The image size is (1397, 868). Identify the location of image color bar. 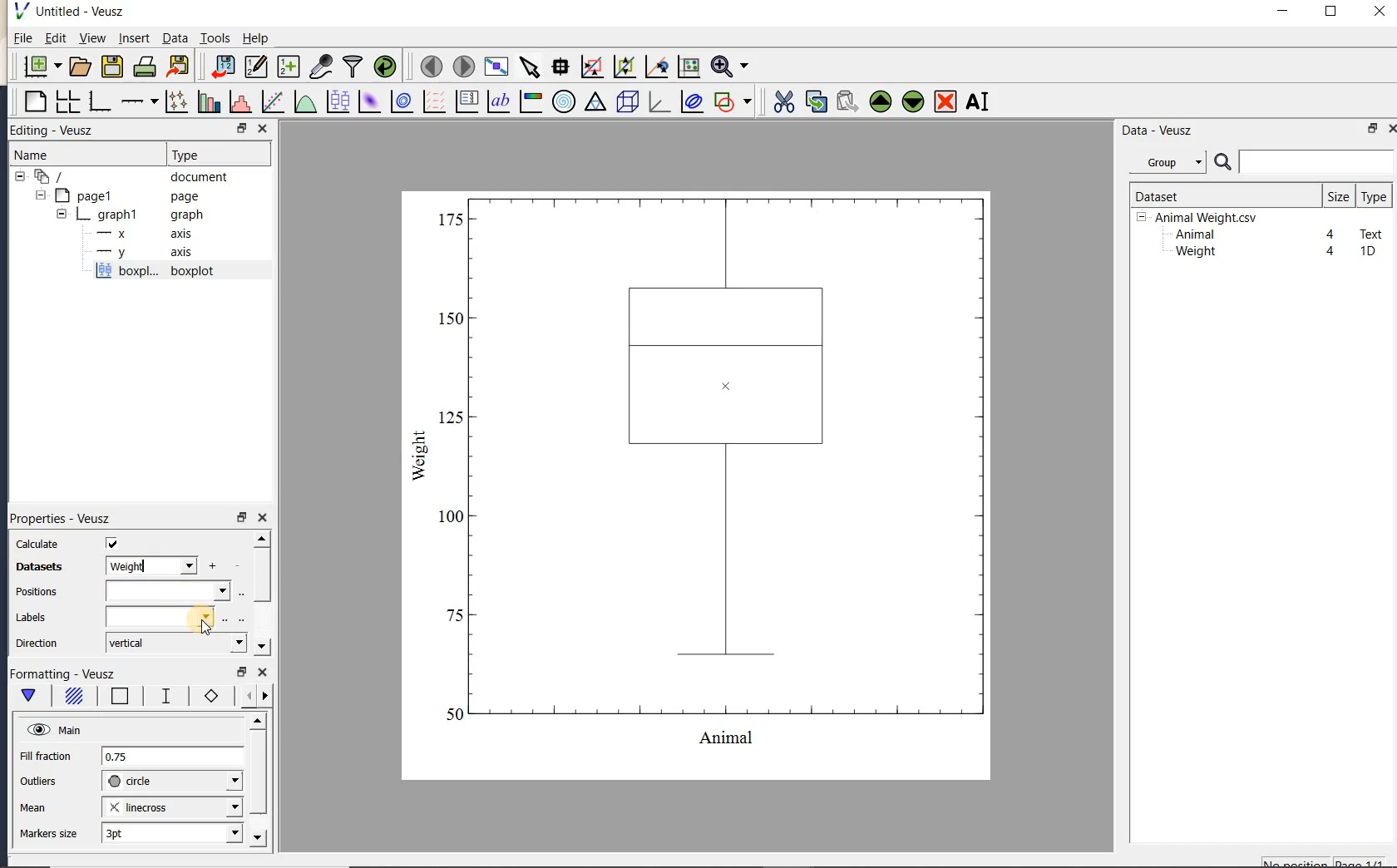
(531, 101).